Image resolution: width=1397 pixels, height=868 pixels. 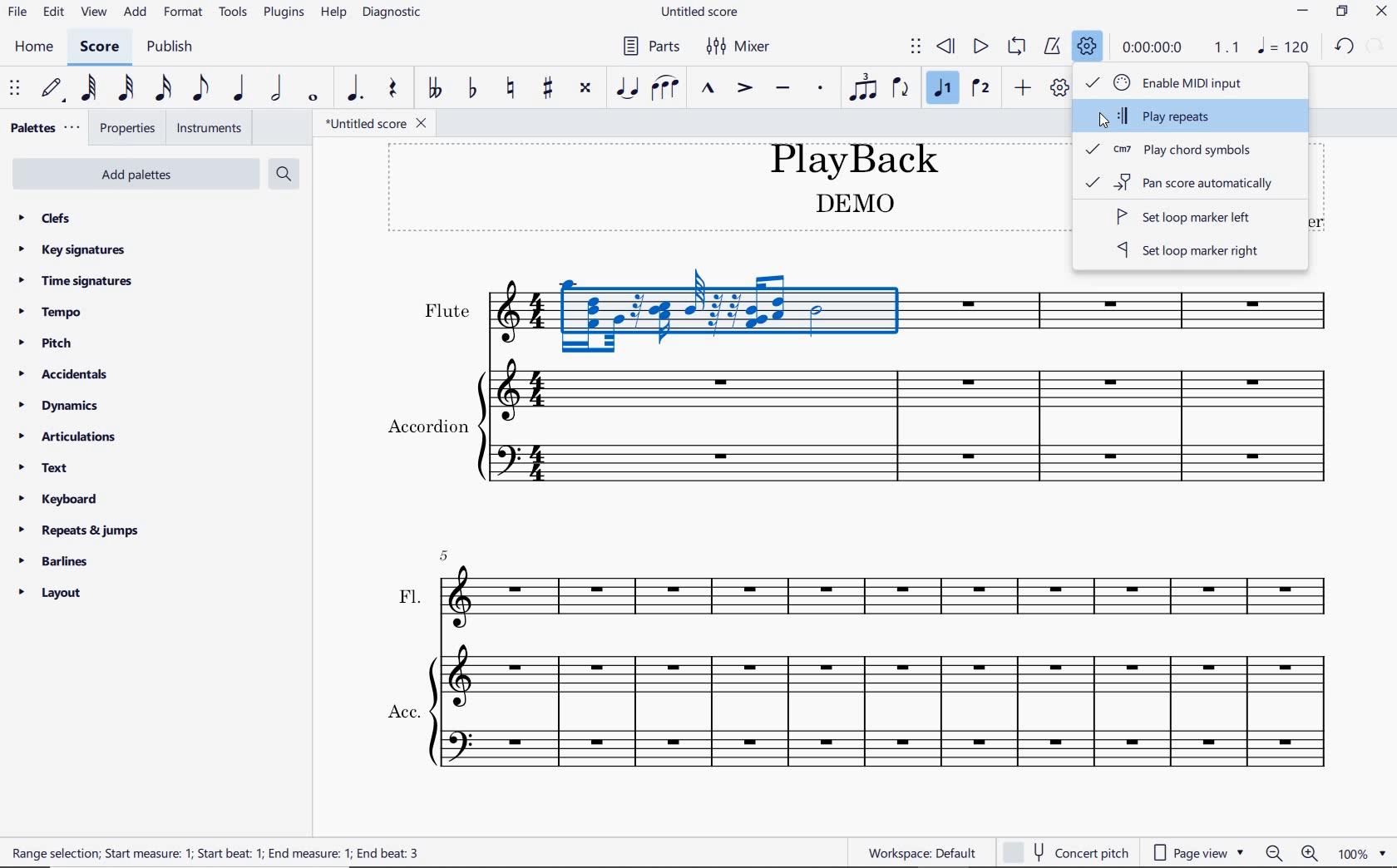 What do you see at coordinates (223, 851) in the screenshot?
I see `RANGE SELECTION` at bounding box center [223, 851].